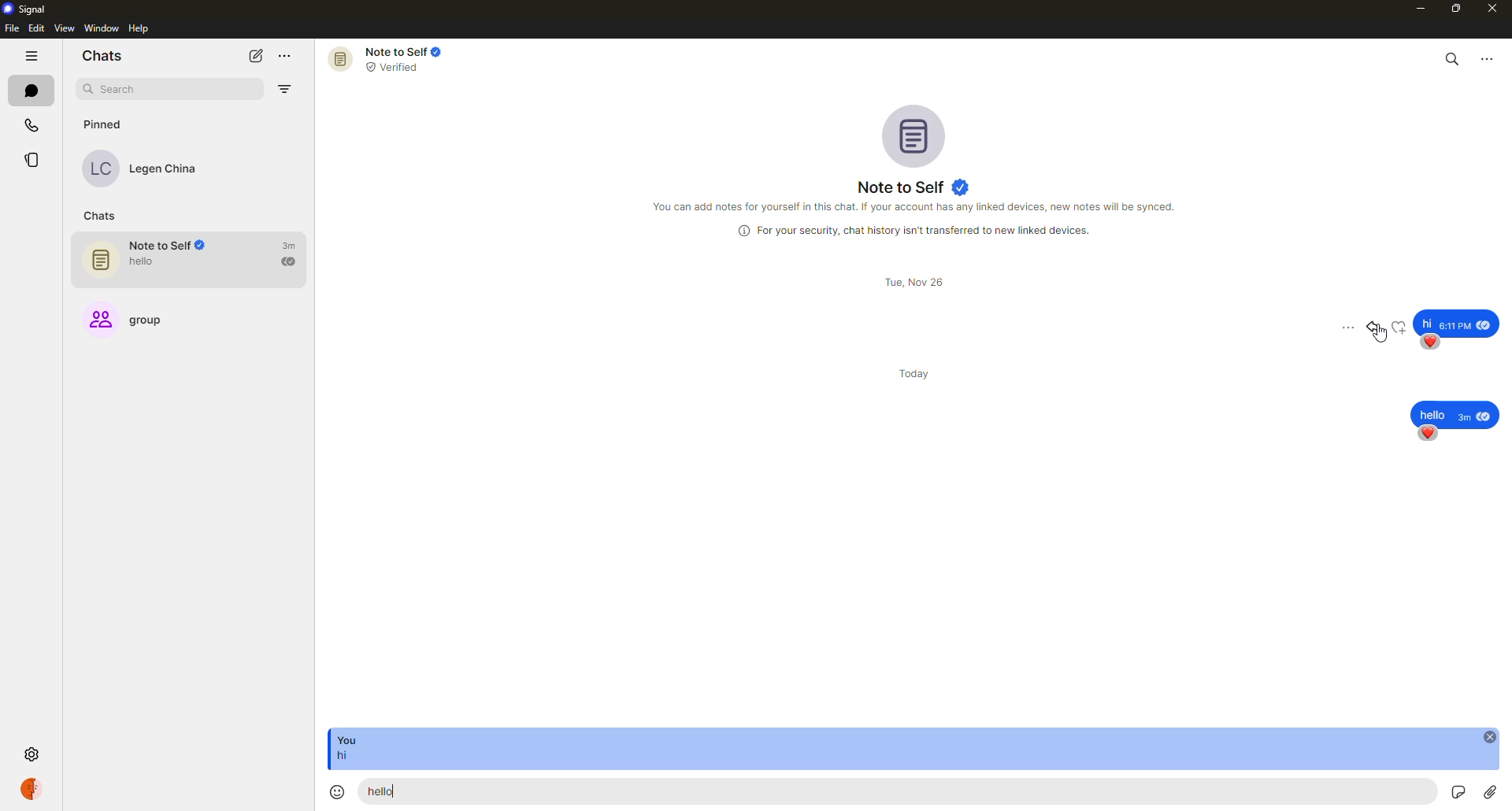 The width and height of the screenshot is (1512, 811). I want to click on search, so click(1453, 57).